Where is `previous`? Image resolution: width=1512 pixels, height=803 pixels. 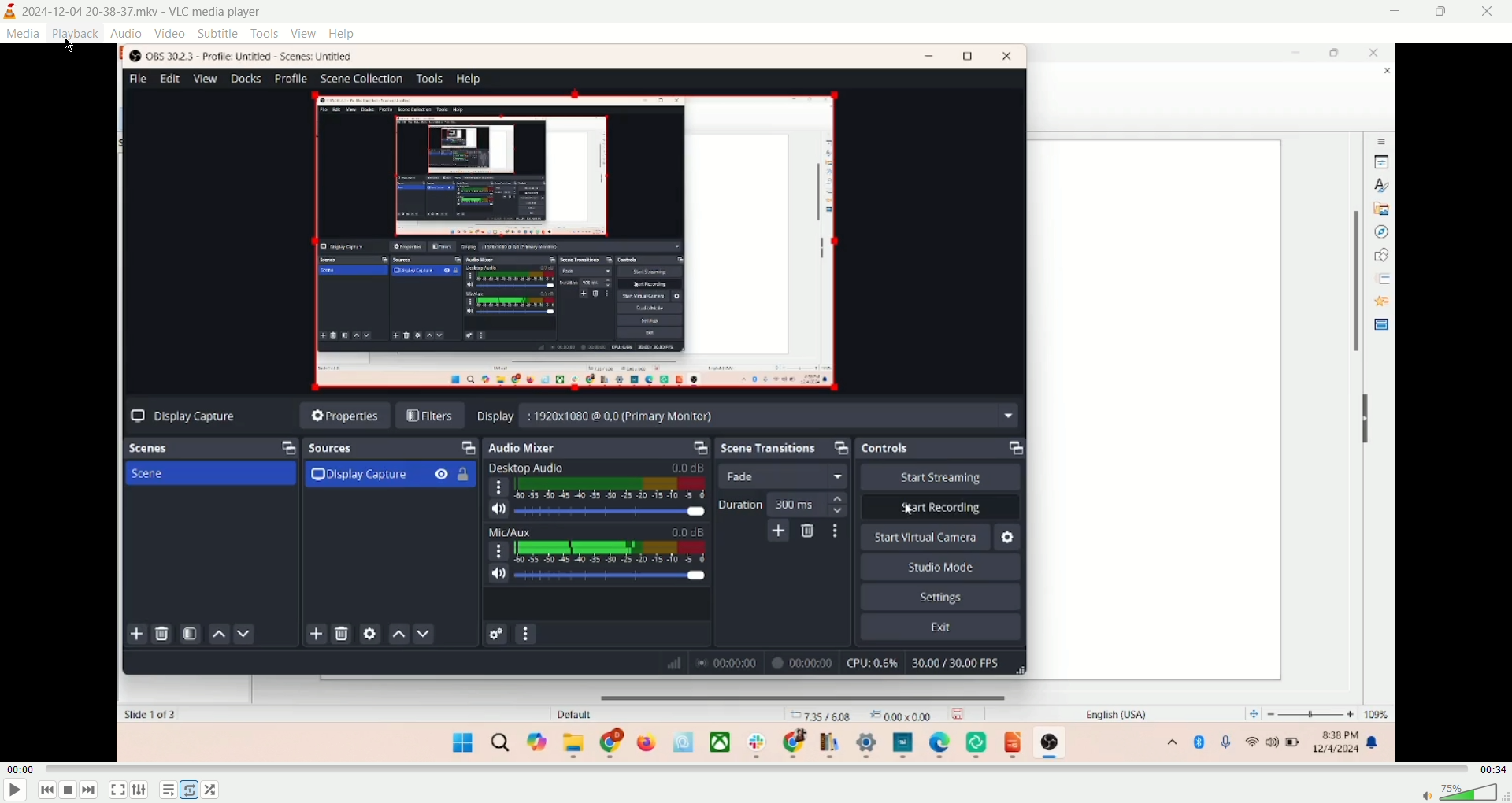
previous is located at coordinates (46, 794).